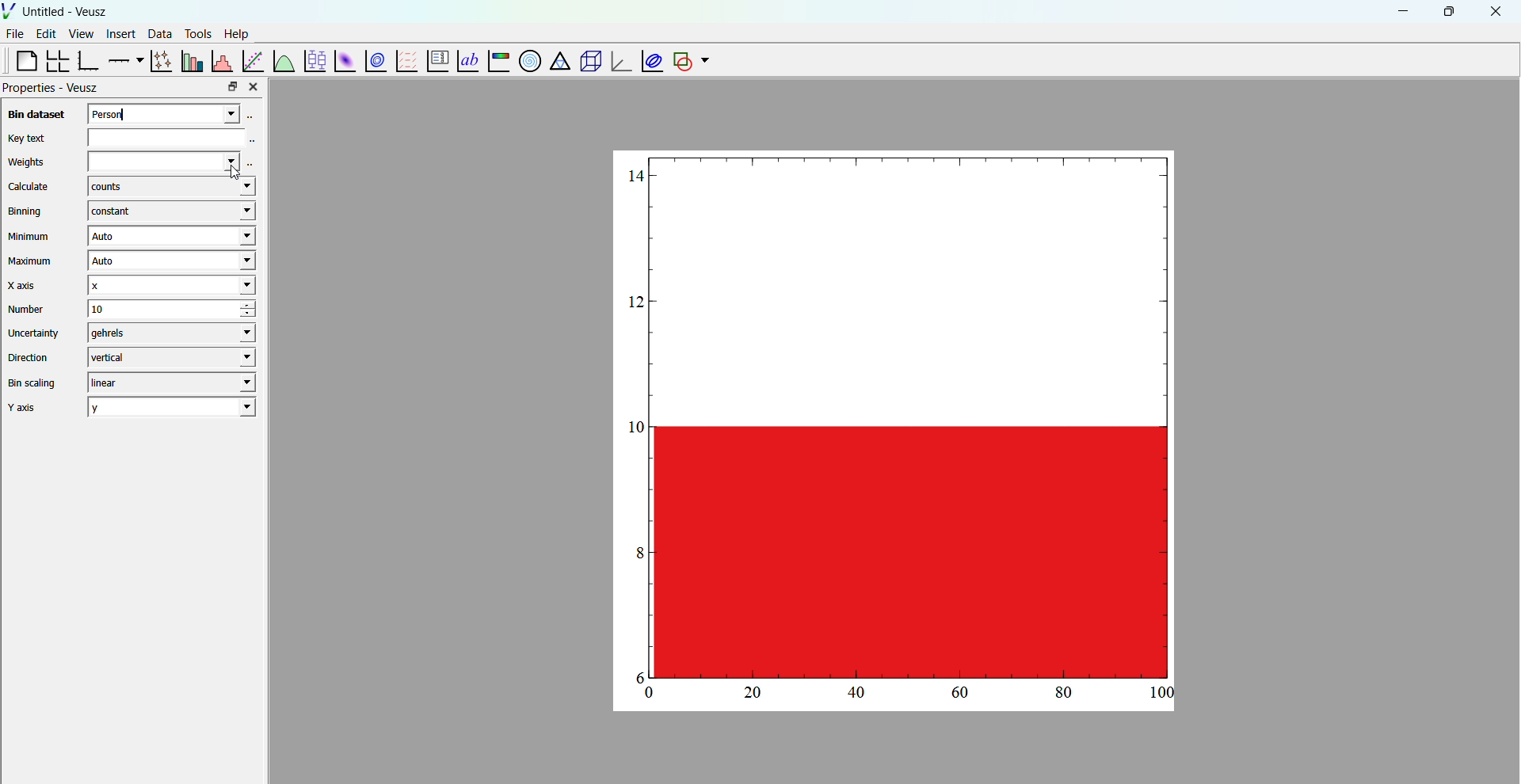  I want to click on logo of Veusz, so click(10, 10).